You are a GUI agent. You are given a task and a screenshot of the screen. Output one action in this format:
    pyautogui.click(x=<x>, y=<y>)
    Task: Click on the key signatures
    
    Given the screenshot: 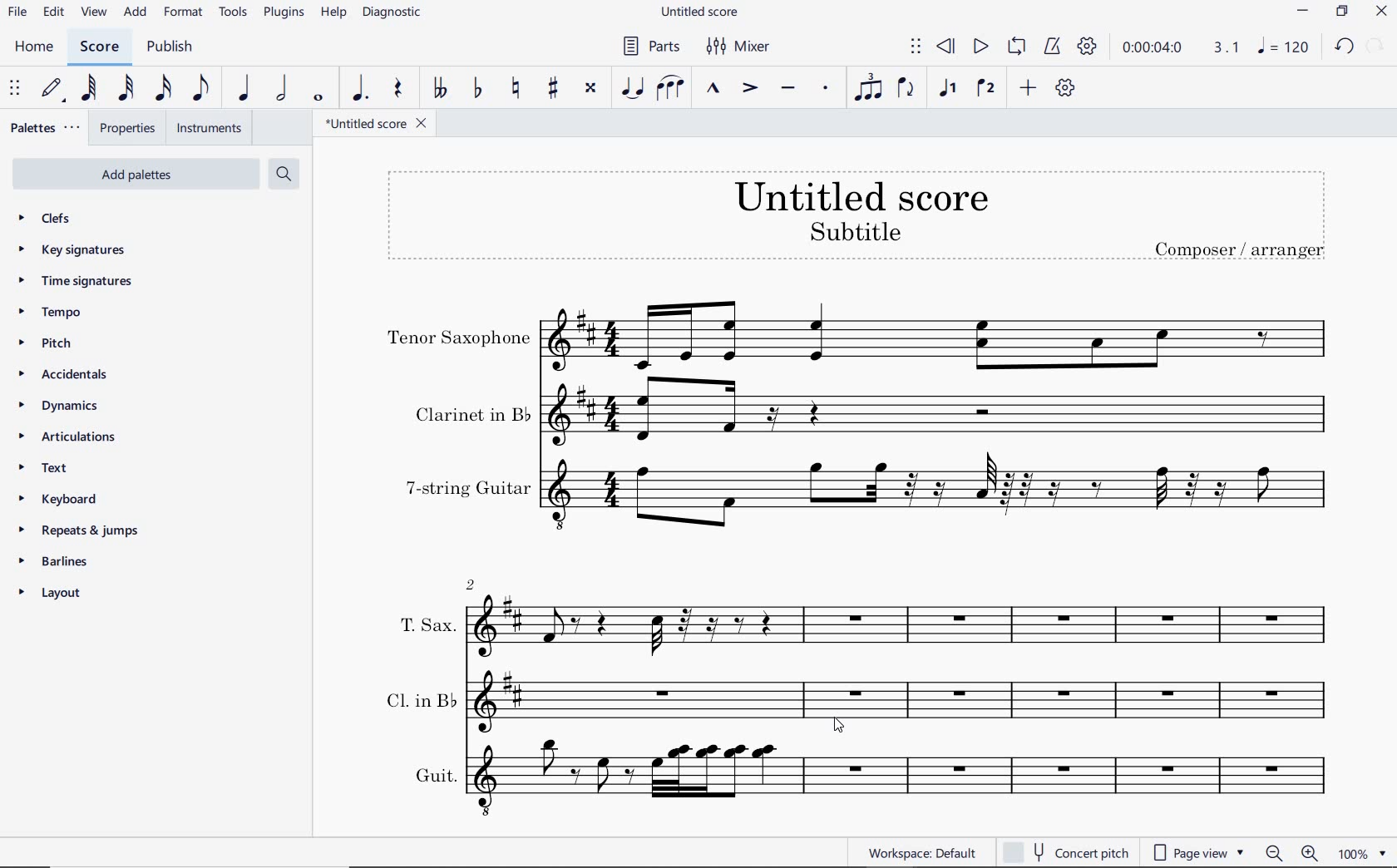 What is the action you would take?
    pyautogui.click(x=72, y=250)
    